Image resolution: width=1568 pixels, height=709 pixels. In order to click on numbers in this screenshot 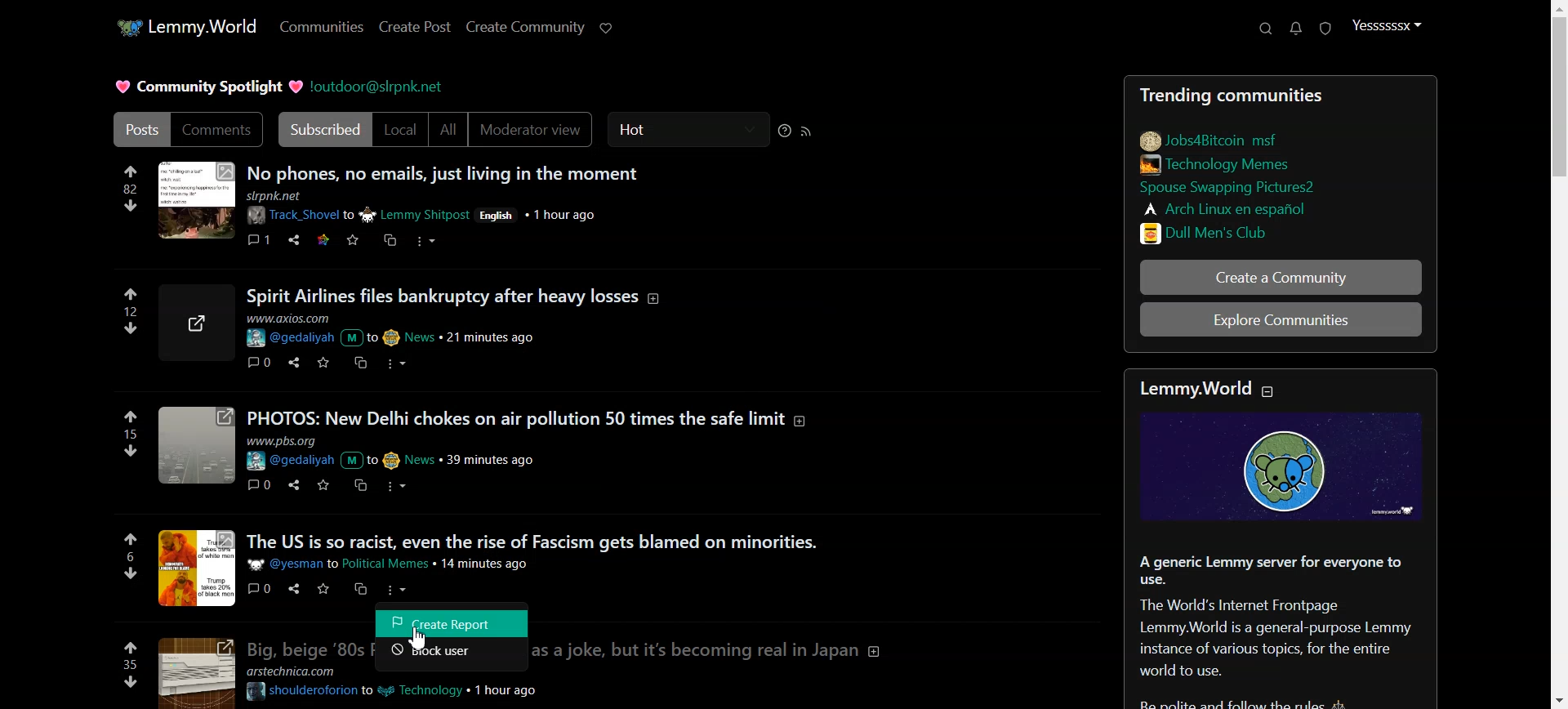, I will do `click(130, 664)`.